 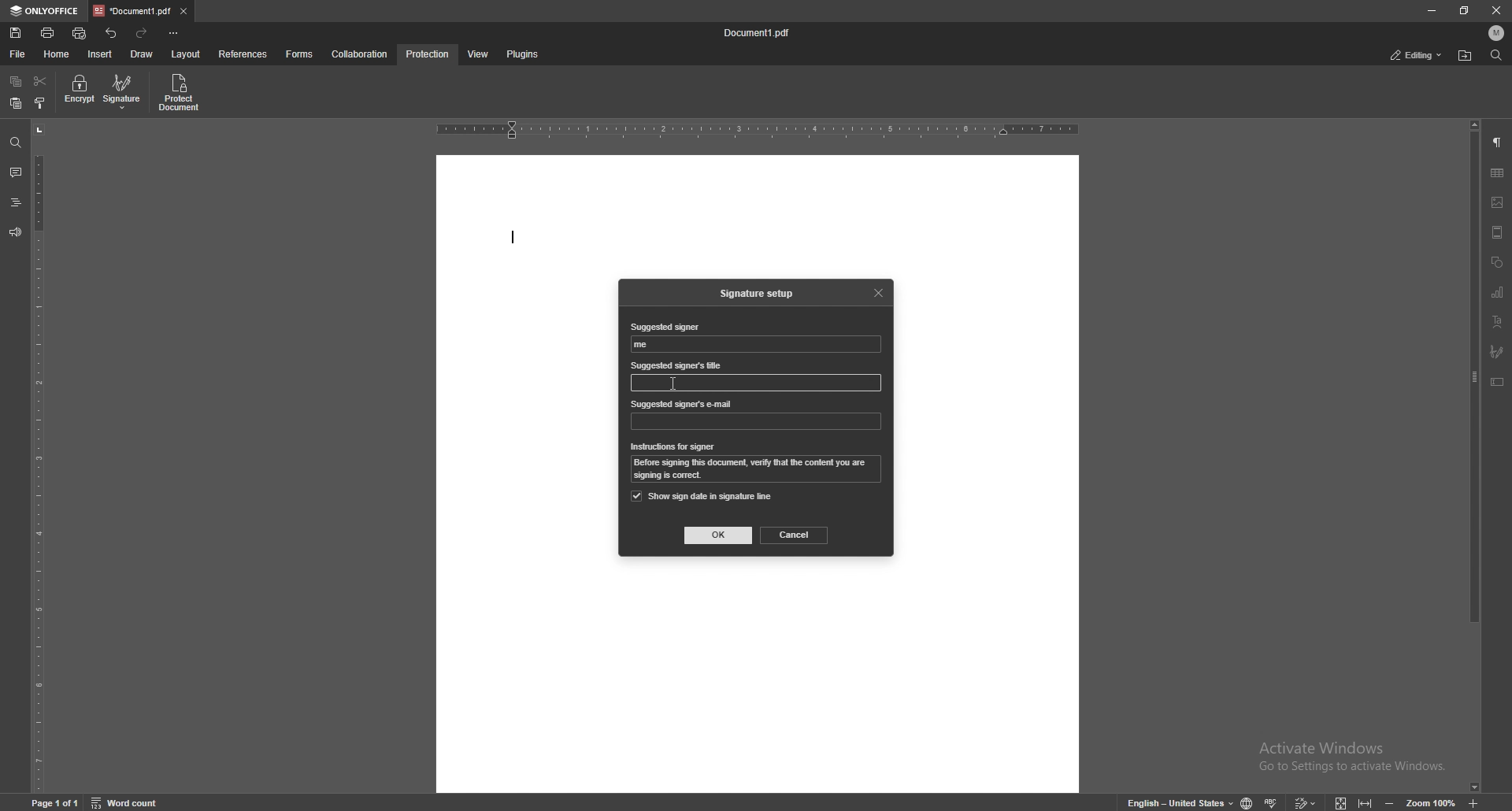 I want to click on change text language, so click(x=1174, y=802).